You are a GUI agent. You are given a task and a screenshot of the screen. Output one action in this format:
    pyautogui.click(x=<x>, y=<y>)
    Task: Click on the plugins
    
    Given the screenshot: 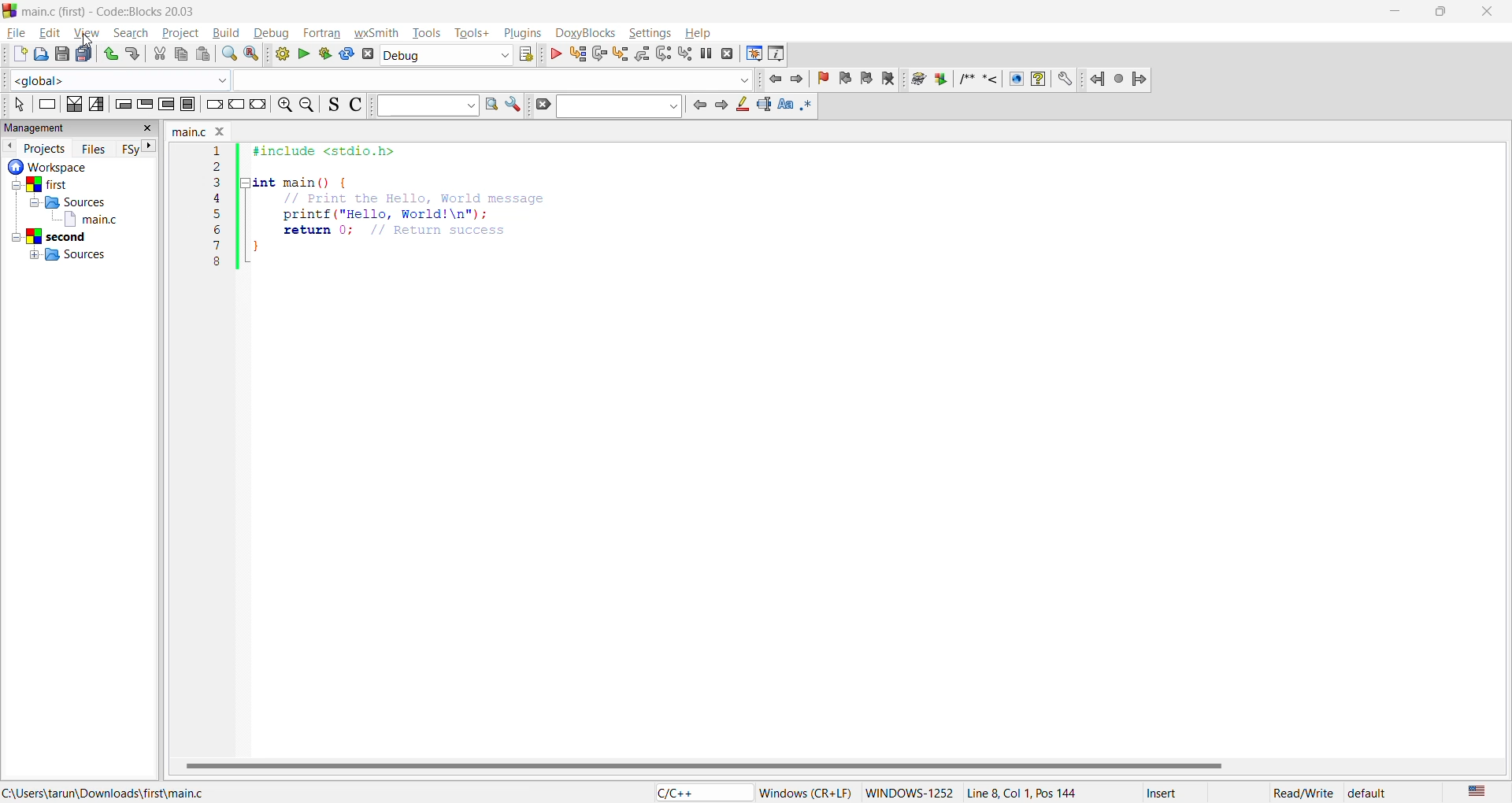 What is the action you would take?
    pyautogui.click(x=522, y=33)
    